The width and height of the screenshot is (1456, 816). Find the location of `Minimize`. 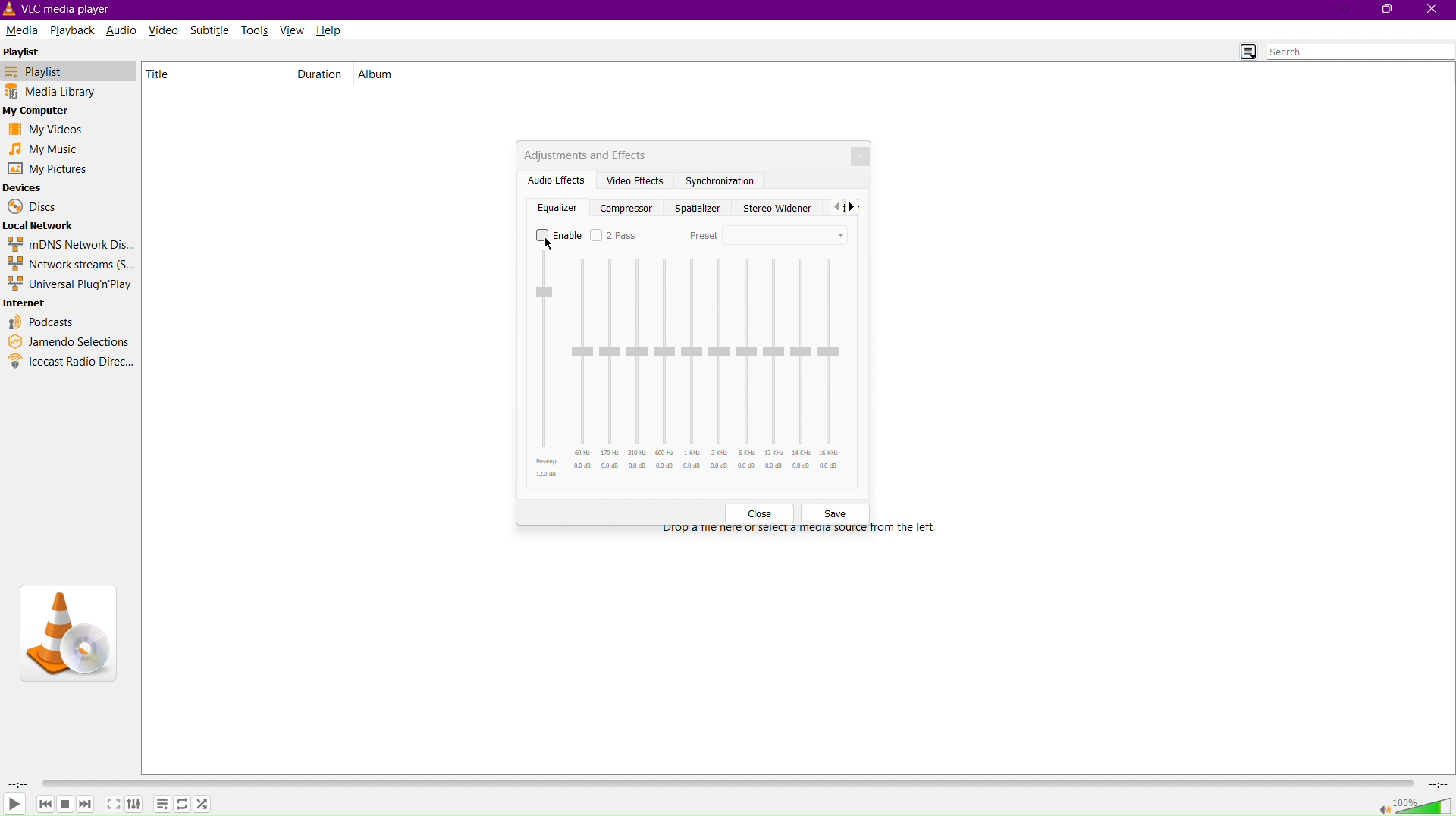

Minimize is located at coordinates (1345, 10).